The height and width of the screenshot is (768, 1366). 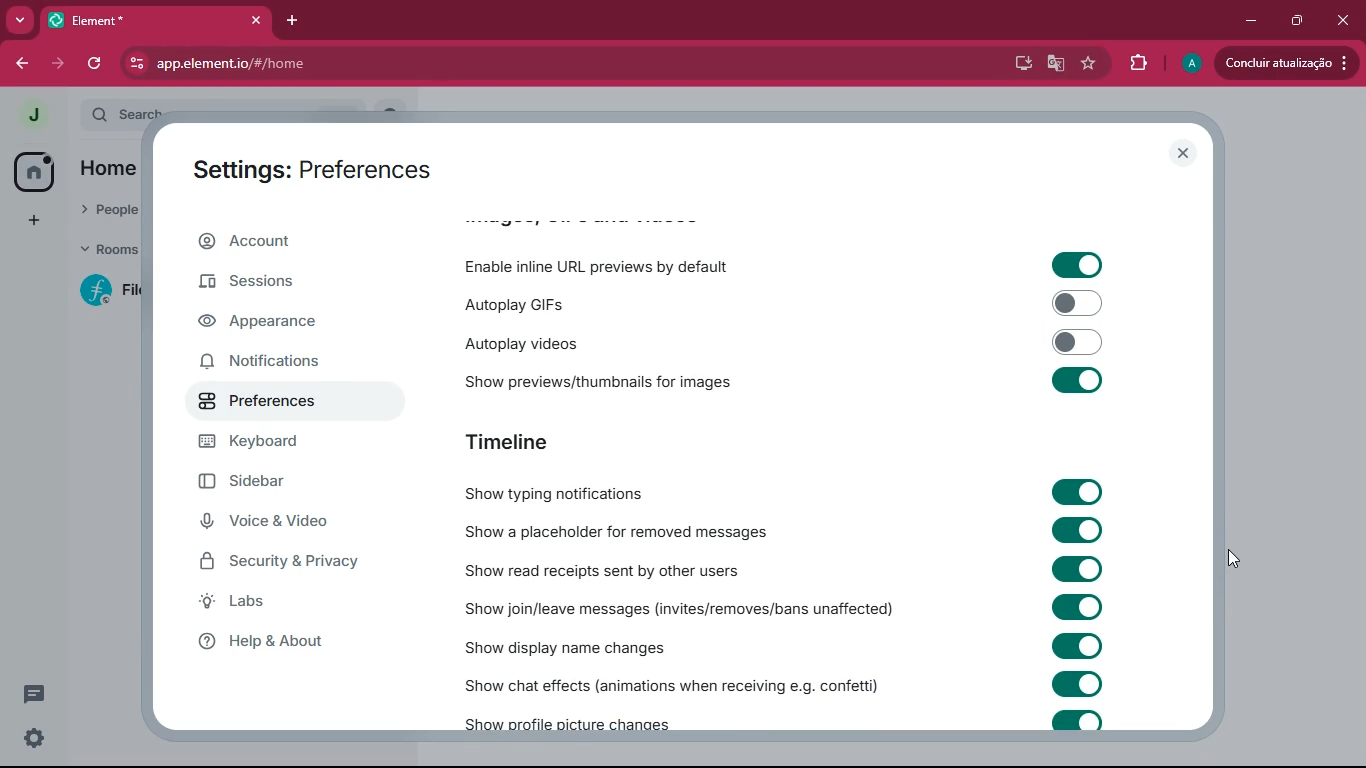 I want to click on app.element.io/#/home, so click(x=390, y=64).